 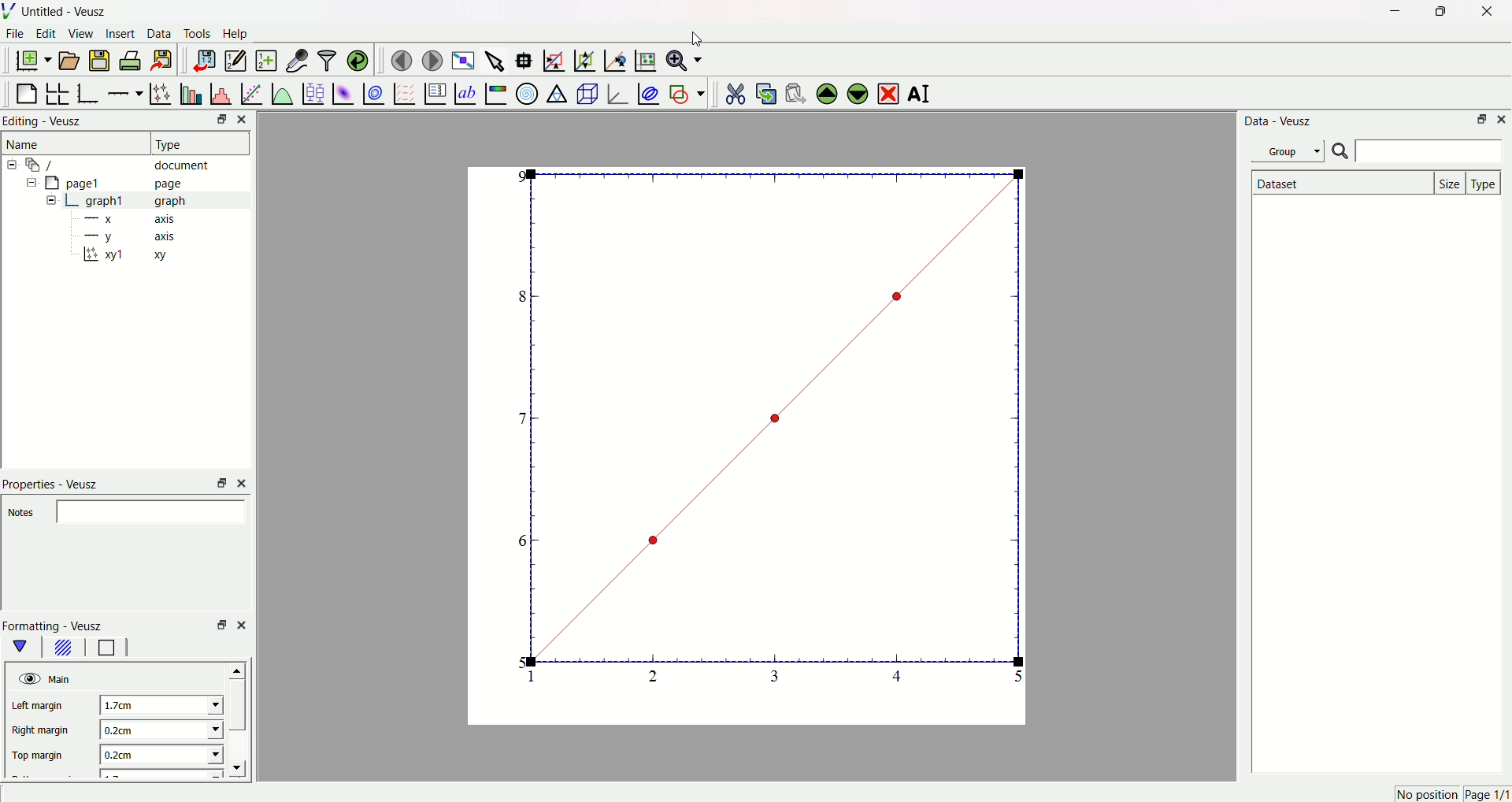 What do you see at coordinates (217, 121) in the screenshot?
I see `Minimize` at bounding box center [217, 121].